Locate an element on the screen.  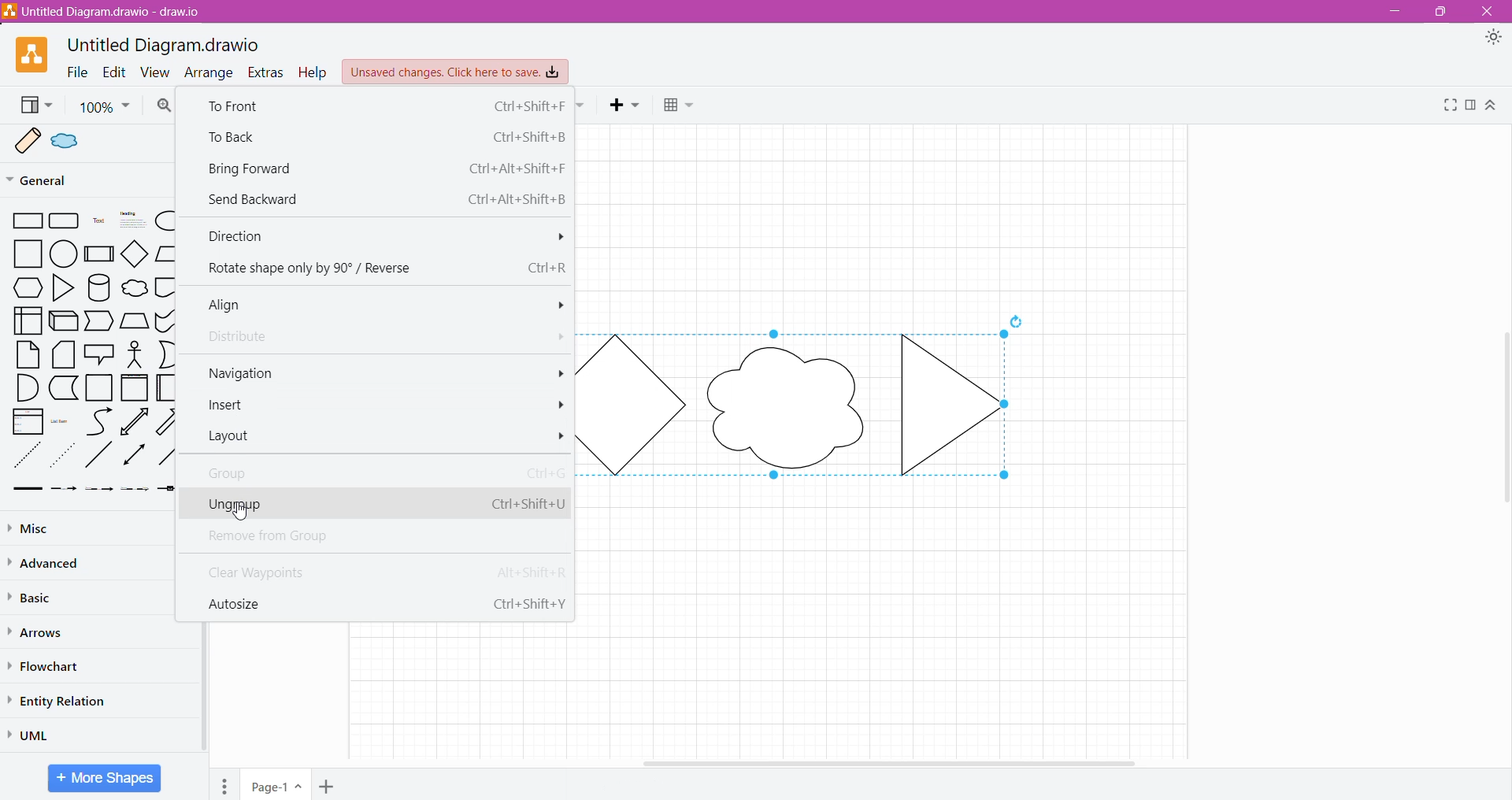
Scratchpad sample shape 2 is located at coordinates (72, 143).